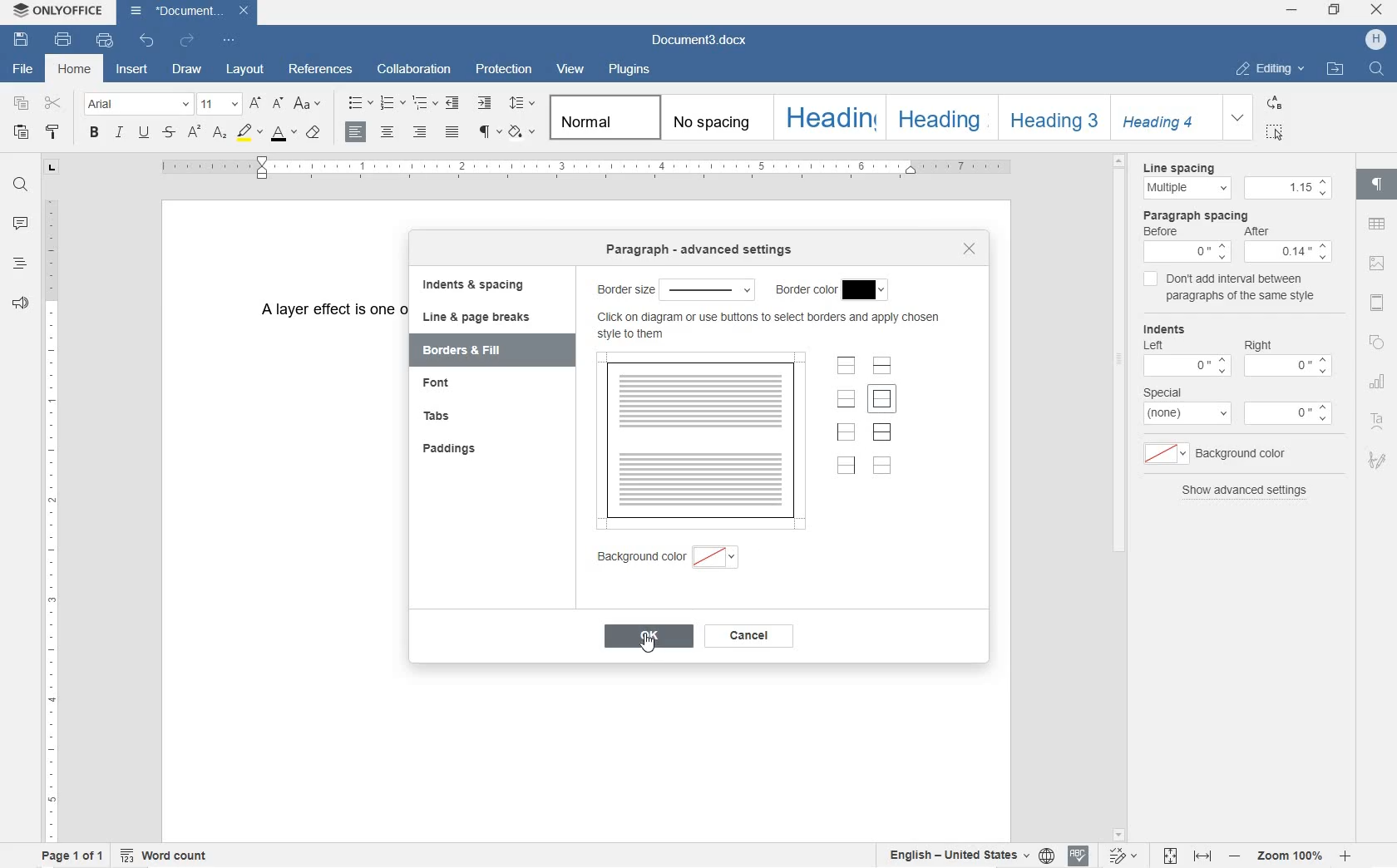  Describe the element at coordinates (189, 41) in the screenshot. I see `REDO` at that location.